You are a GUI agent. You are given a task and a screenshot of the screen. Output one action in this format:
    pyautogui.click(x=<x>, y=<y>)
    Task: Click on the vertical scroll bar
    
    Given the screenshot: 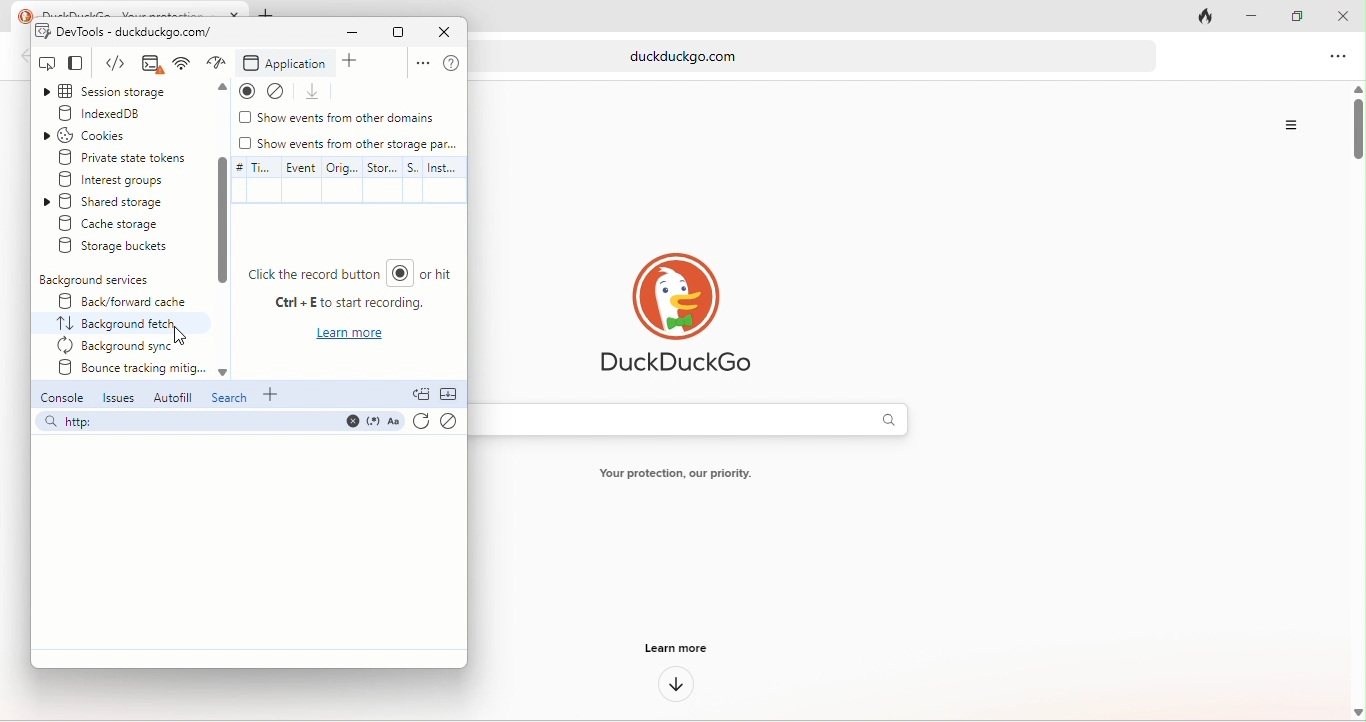 What is the action you would take?
    pyautogui.click(x=1356, y=133)
    